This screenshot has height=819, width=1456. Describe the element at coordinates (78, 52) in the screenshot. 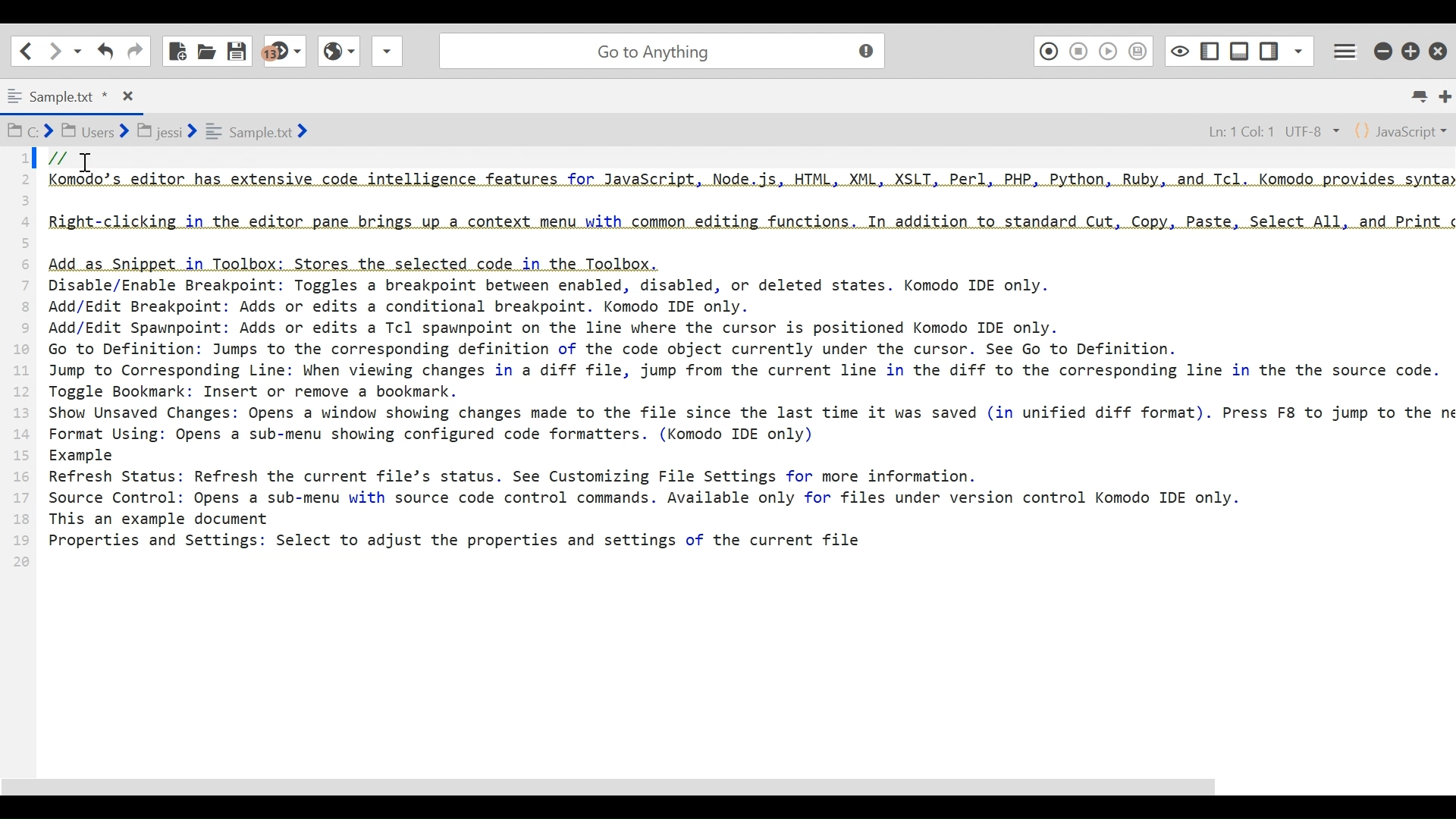

I see `Recent locations` at that location.